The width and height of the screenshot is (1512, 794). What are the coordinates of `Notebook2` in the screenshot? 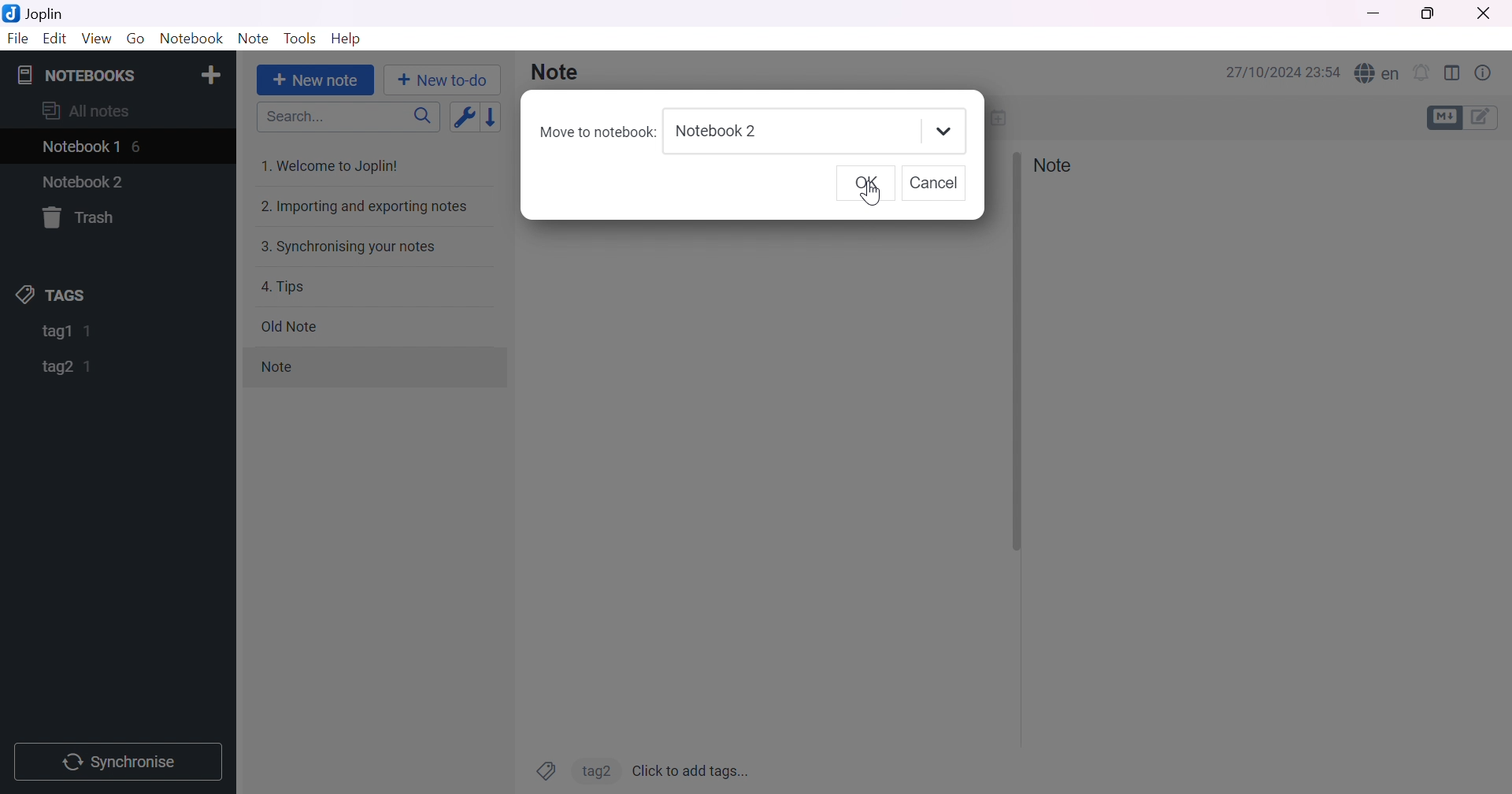 It's located at (717, 131).